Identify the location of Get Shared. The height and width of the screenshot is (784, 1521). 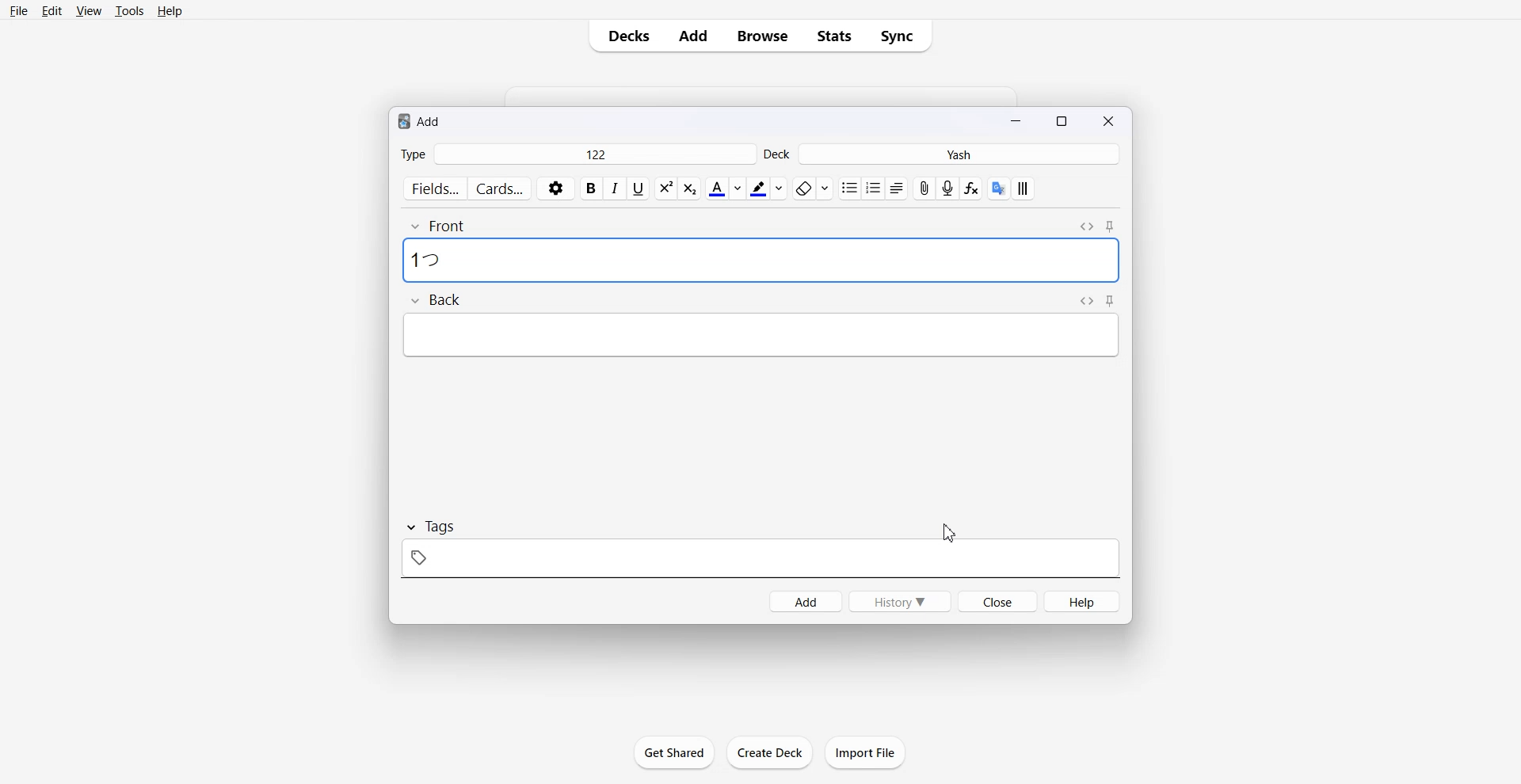
(675, 752).